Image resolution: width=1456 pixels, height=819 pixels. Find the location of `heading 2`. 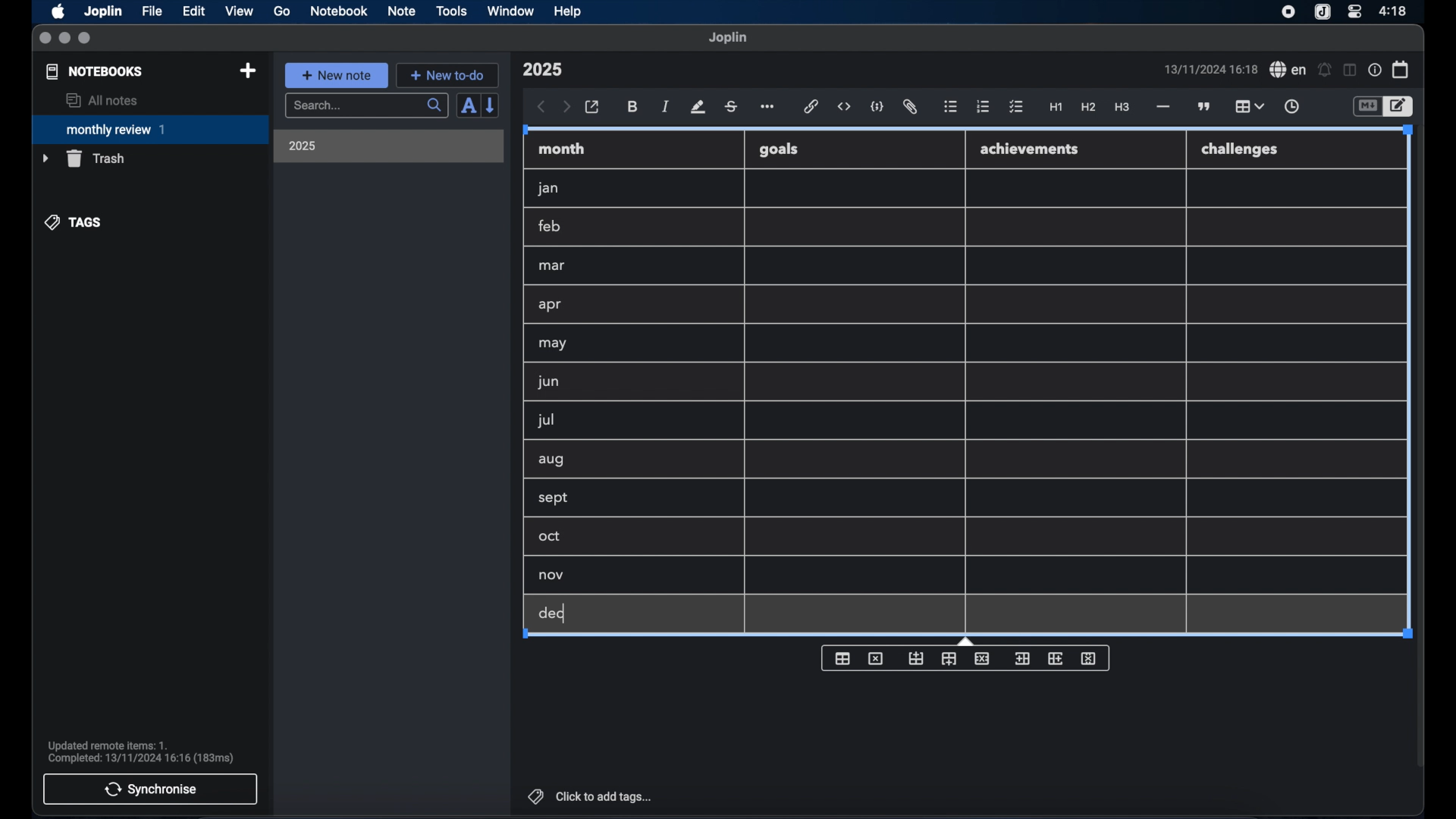

heading 2 is located at coordinates (1089, 108).